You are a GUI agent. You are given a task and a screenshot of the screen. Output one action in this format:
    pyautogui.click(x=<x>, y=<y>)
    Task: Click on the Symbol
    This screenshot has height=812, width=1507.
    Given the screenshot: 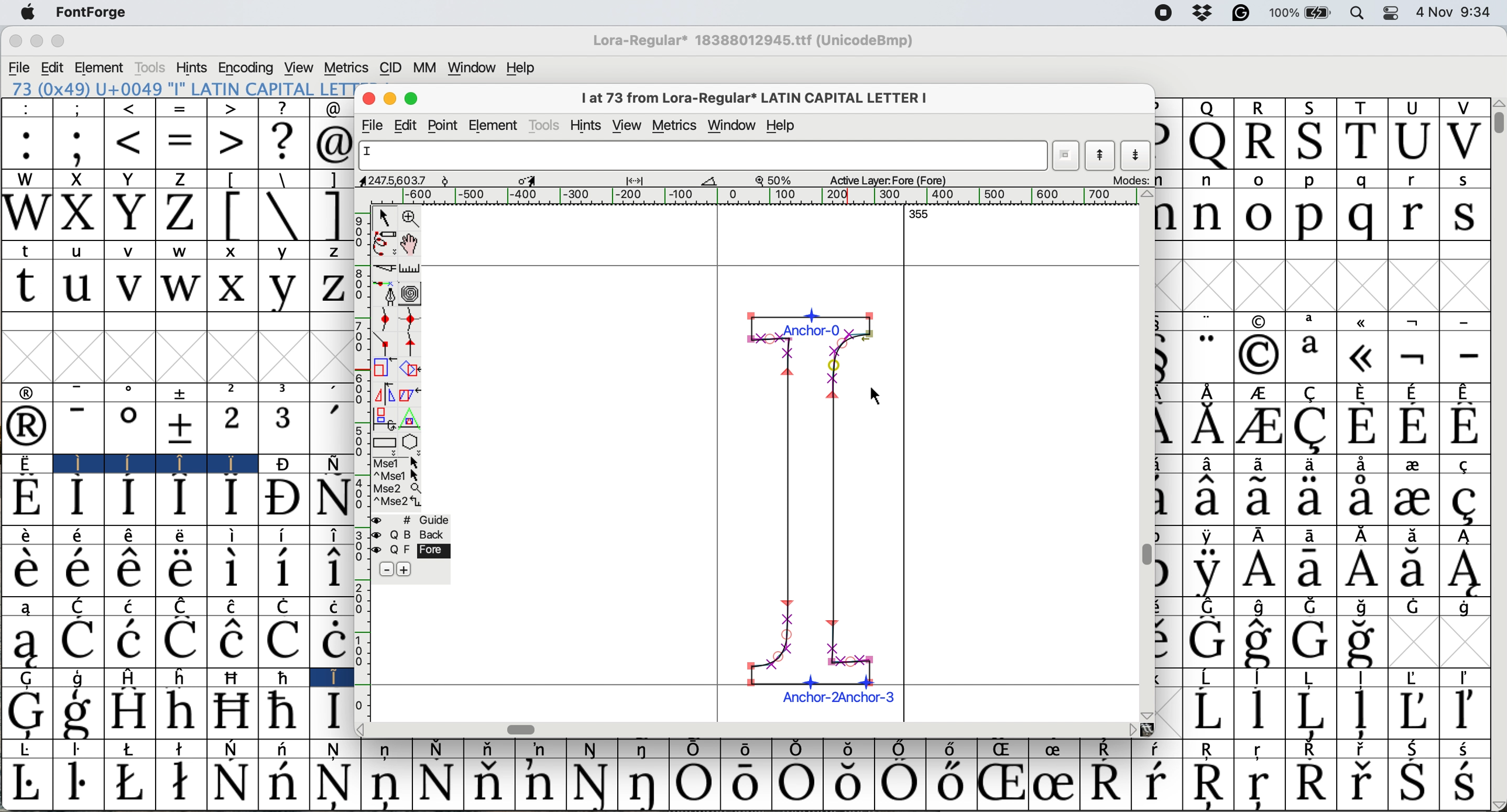 What is the action you would take?
    pyautogui.click(x=132, y=605)
    